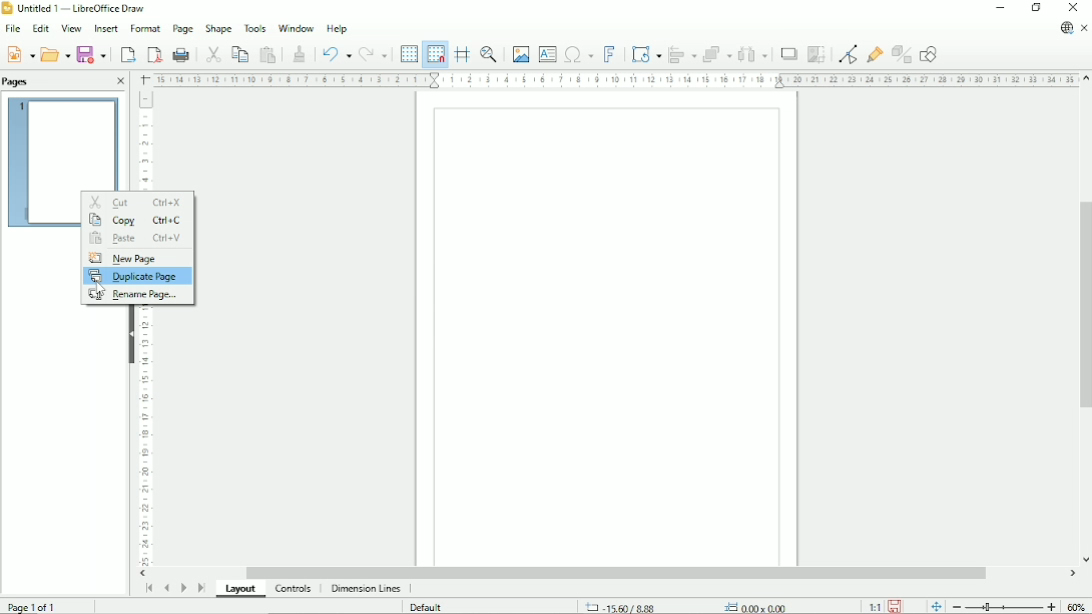 This screenshot has height=614, width=1092. Describe the element at coordinates (299, 52) in the screenshot. I see `Clone formatting` at that location.